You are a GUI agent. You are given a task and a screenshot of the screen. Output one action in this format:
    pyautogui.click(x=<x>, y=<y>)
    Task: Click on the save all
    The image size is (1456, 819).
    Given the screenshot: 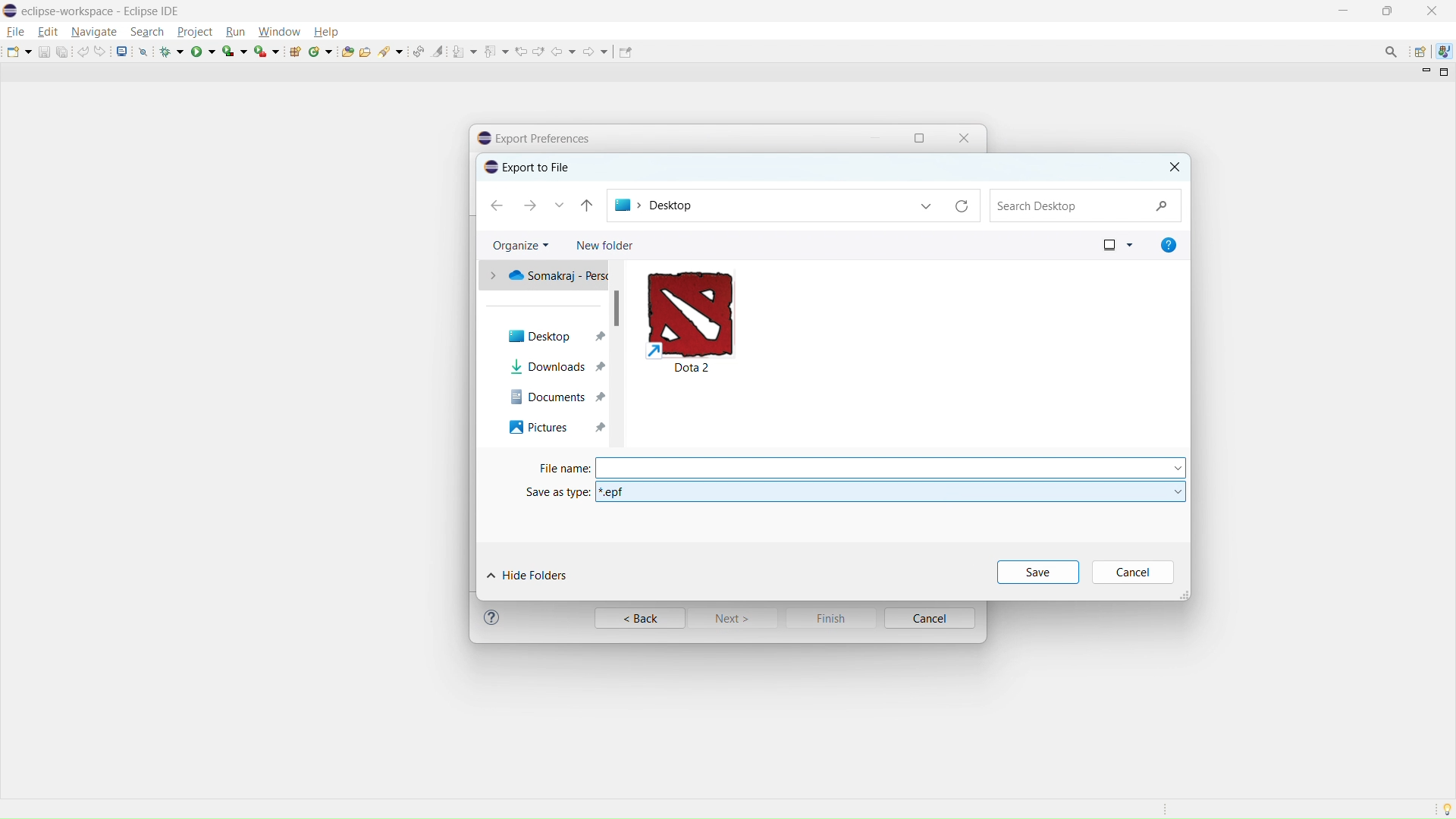 What is the action you would take?
    pyautogui.click(x=62, y=52)
    